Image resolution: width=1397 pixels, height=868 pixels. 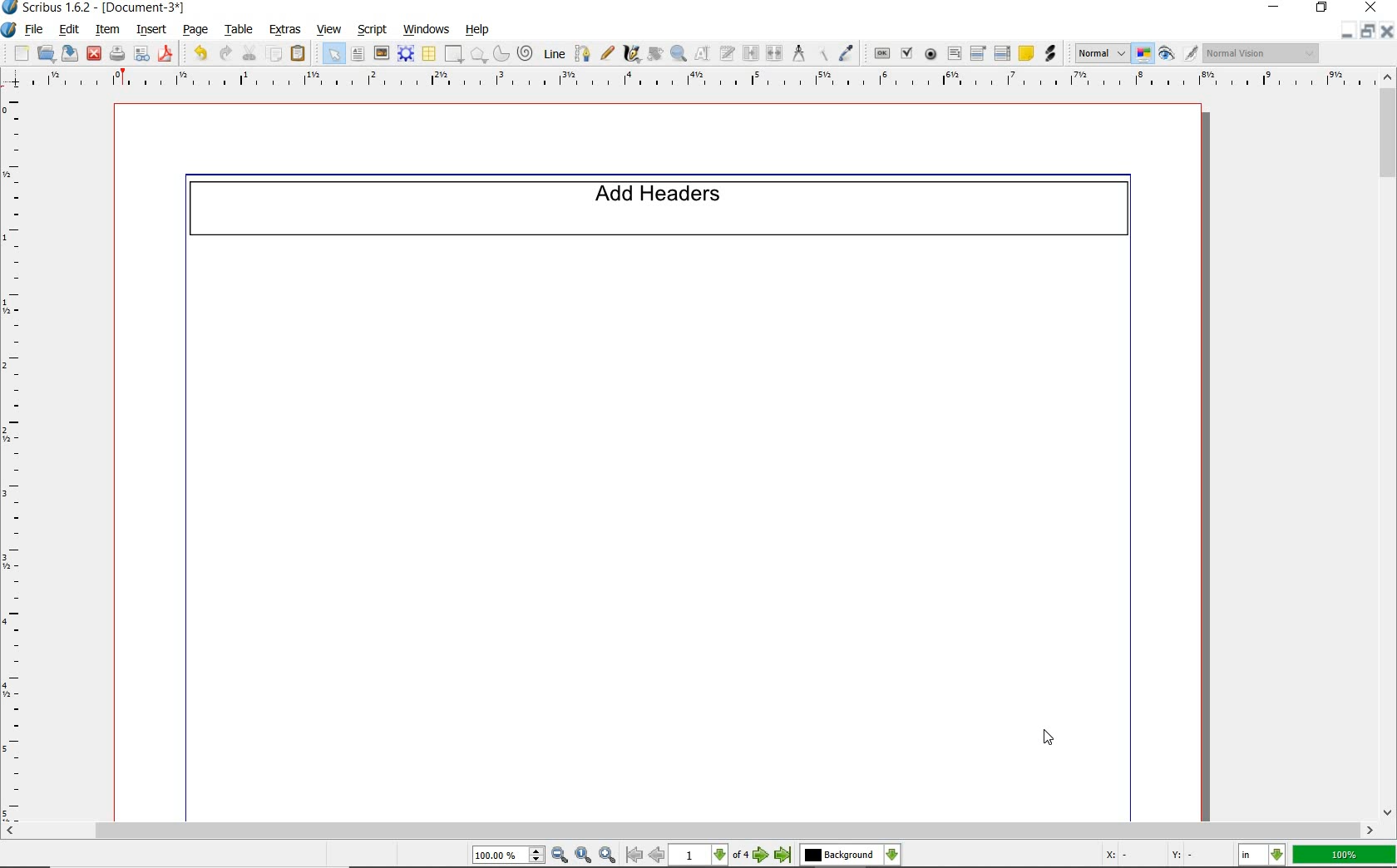 What do you see at coordinates (848, 52) in the screenshot?
I see `eye dropper` at bounding box center [848, 52].